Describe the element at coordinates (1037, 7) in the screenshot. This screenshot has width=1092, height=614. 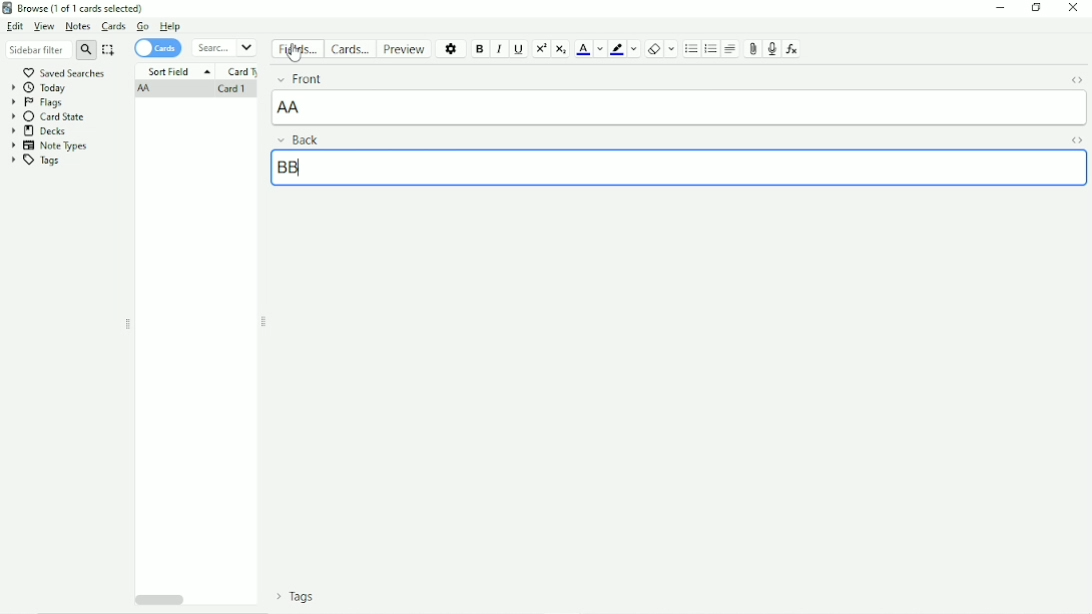
I see `Restore down` at that location.